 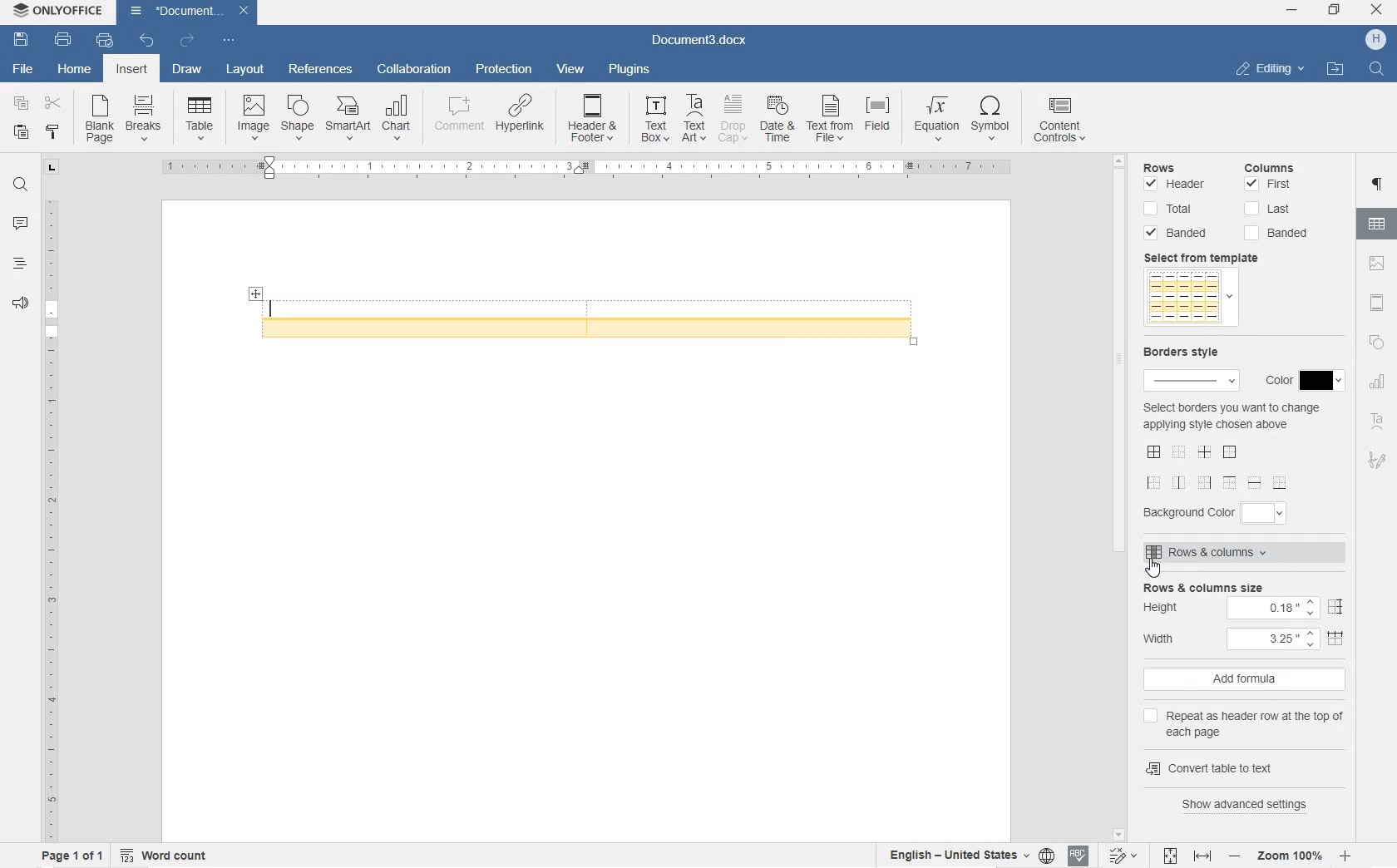 What do you see at coordinates (881, 119) in the screenshot?
I see `Field` at bounding box center [881, 119].